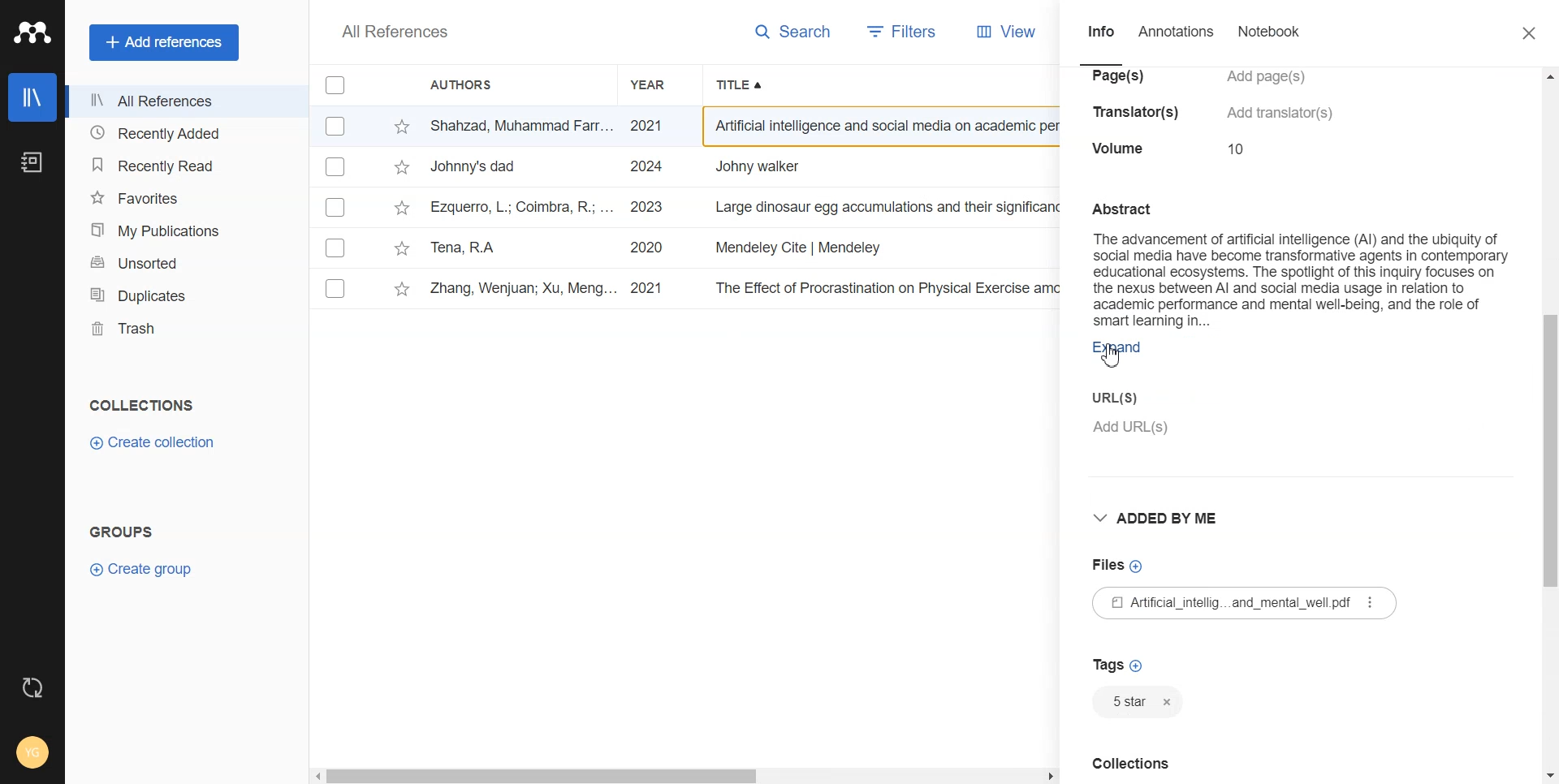  Describe the element at coordinates (32, 752) in the screenshot. I see `Account` at that location.